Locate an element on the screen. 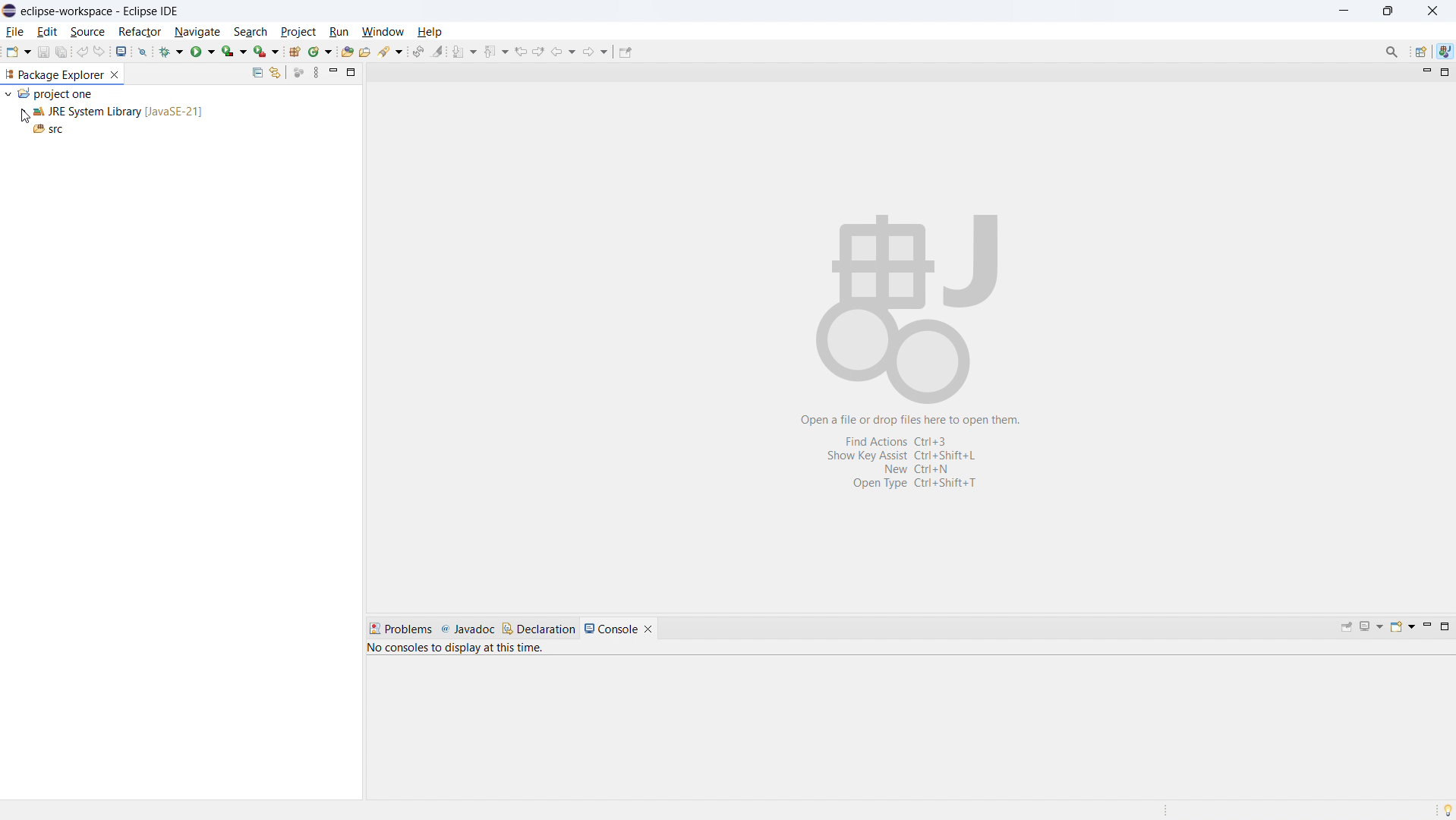 The width and height of the screenshot is (1456, 820). package explorer is located at coordinates (55, 74).